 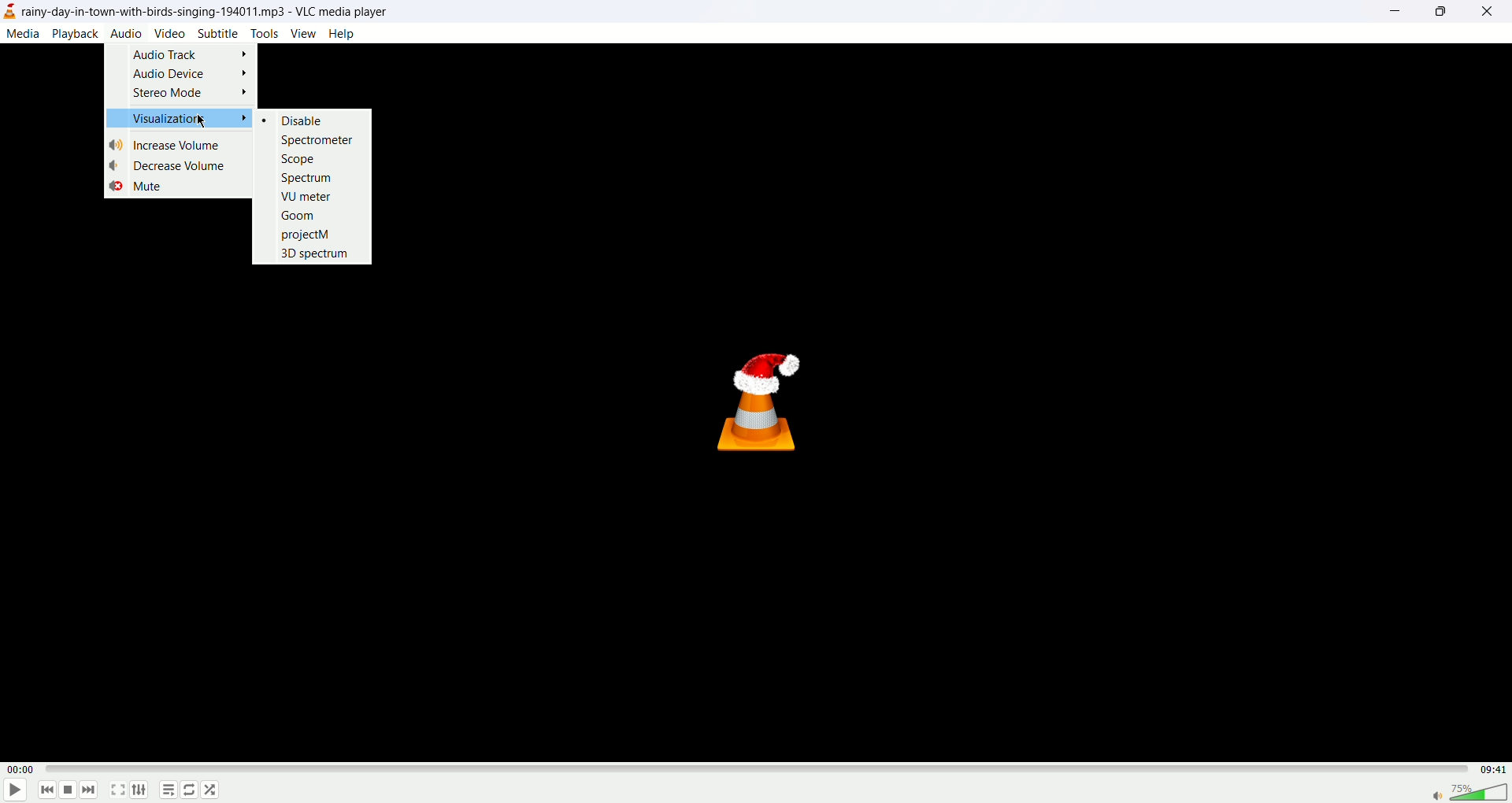 What do you see at coordinates (301, 120) in the screenshot?
I see `disable` at bounding box center [301, 120].